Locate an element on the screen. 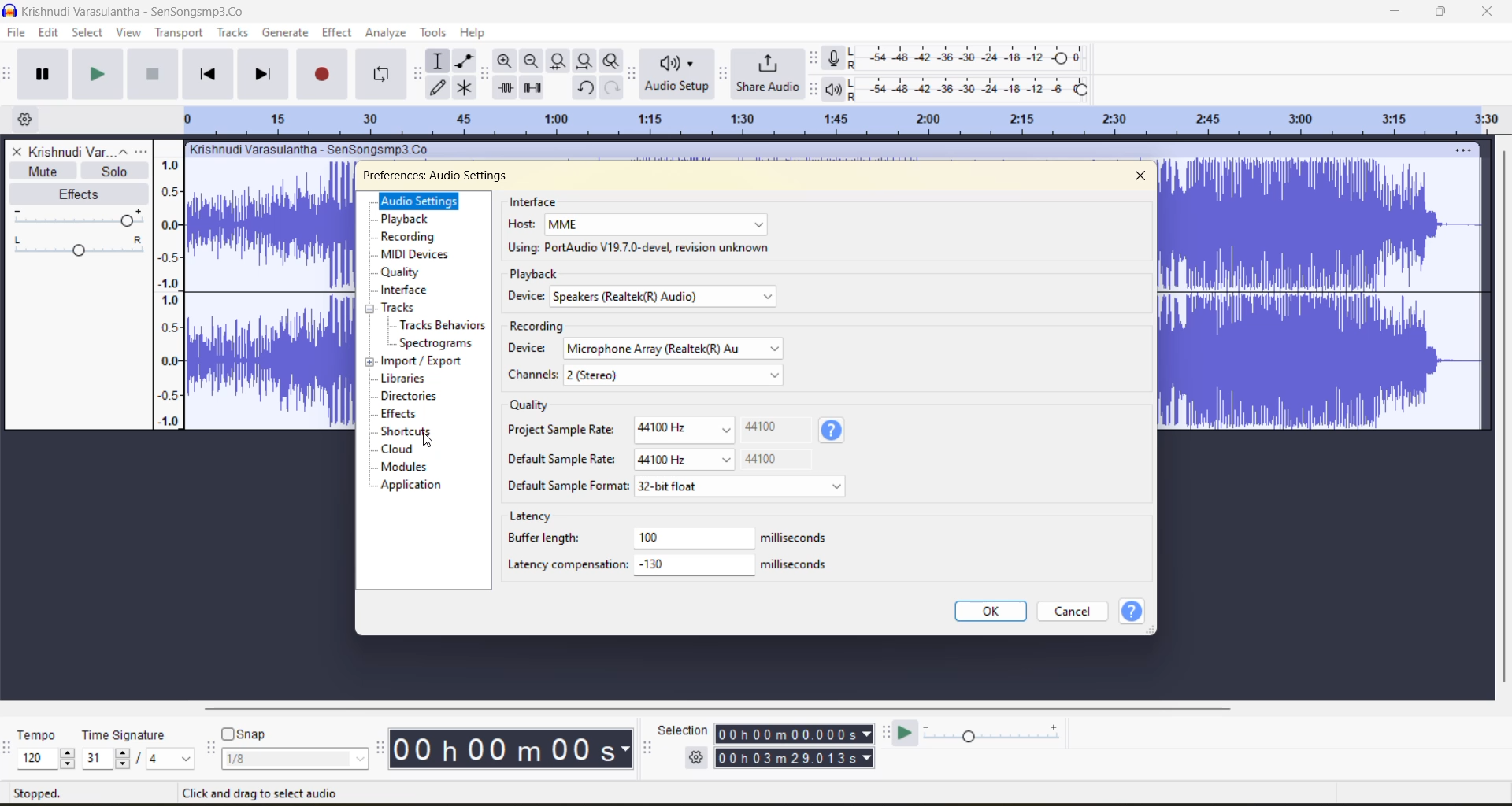  tracks is located at coordinates (407, 309).